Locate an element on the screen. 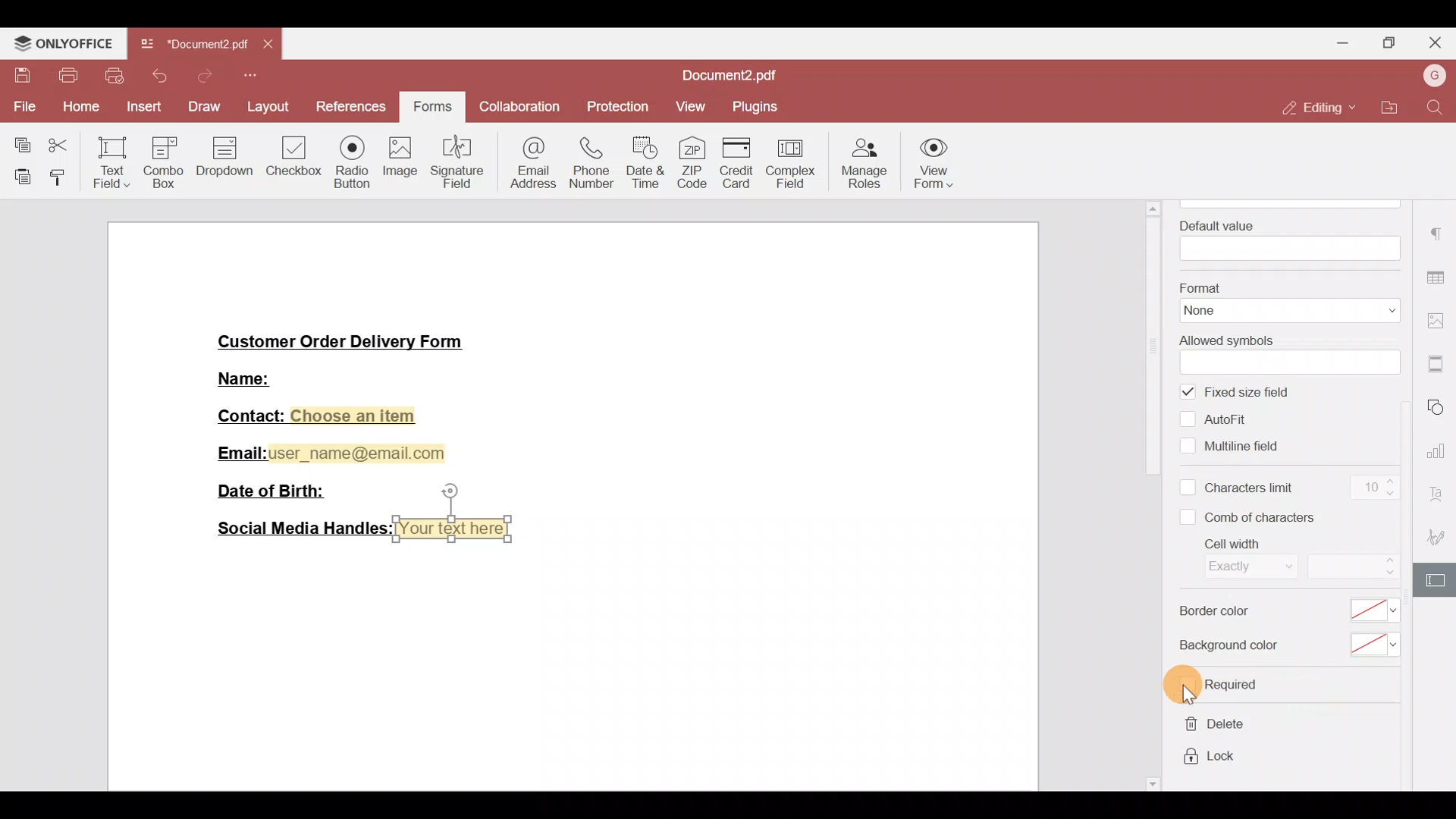 The width and height of the screenshot is (1456, 819). Draw is located at coordinates (204, 105).